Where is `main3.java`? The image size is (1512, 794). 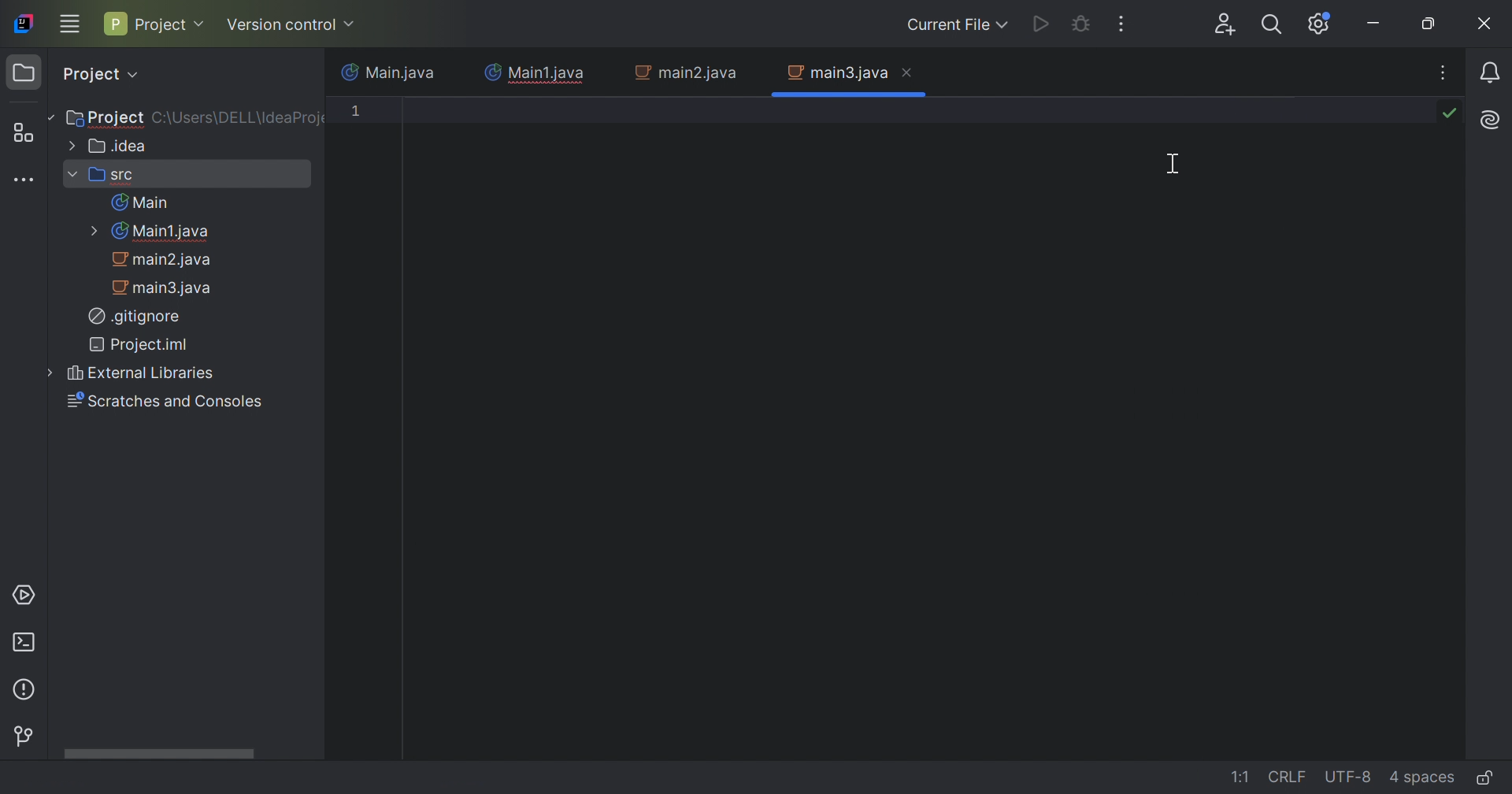
main3.java is located at coordinates (835, 72).